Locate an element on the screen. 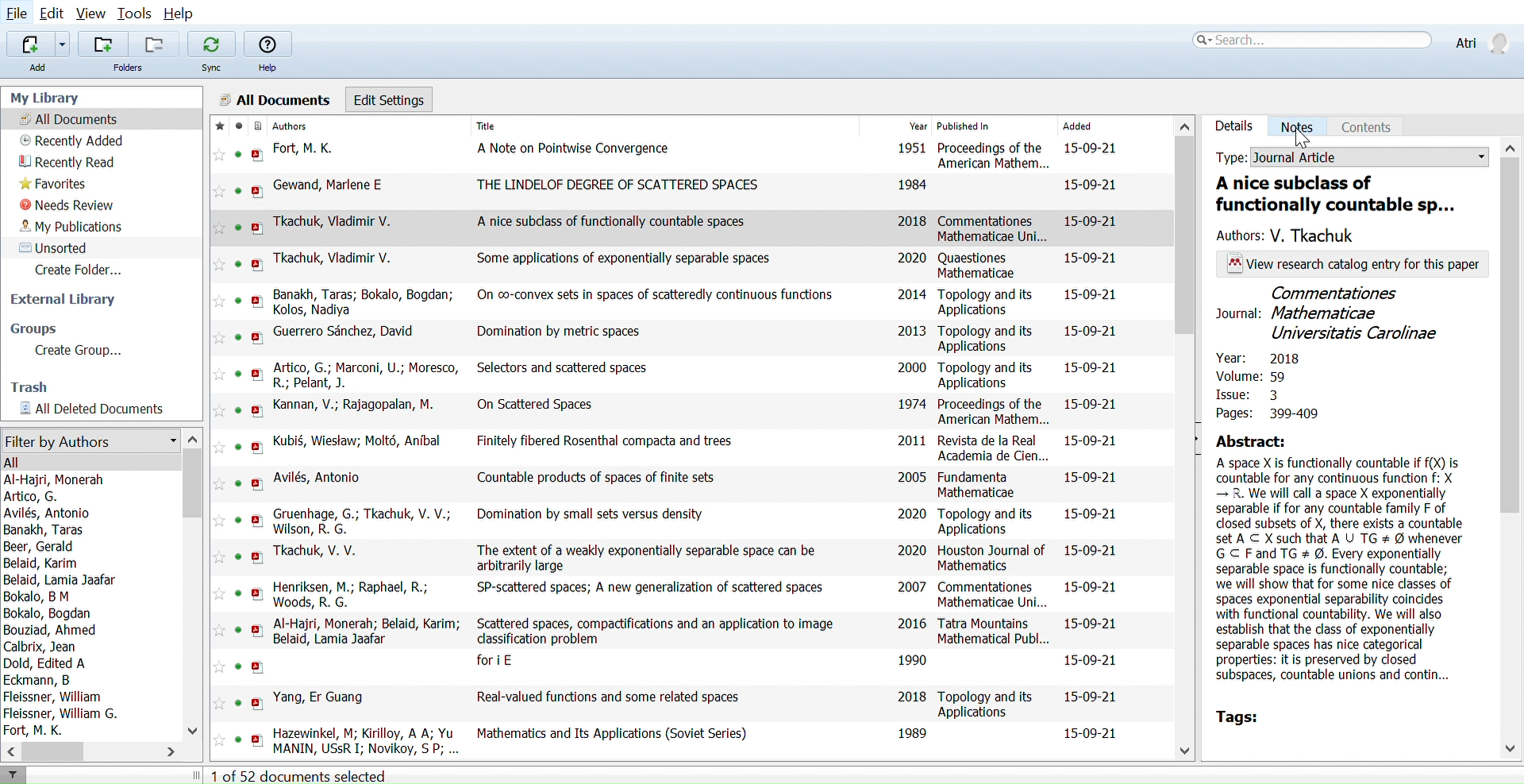 The width and height of the screenshot is (1524, 784). Tatra Mountains Mathematical Publ... is located at coordinates (995, 631).